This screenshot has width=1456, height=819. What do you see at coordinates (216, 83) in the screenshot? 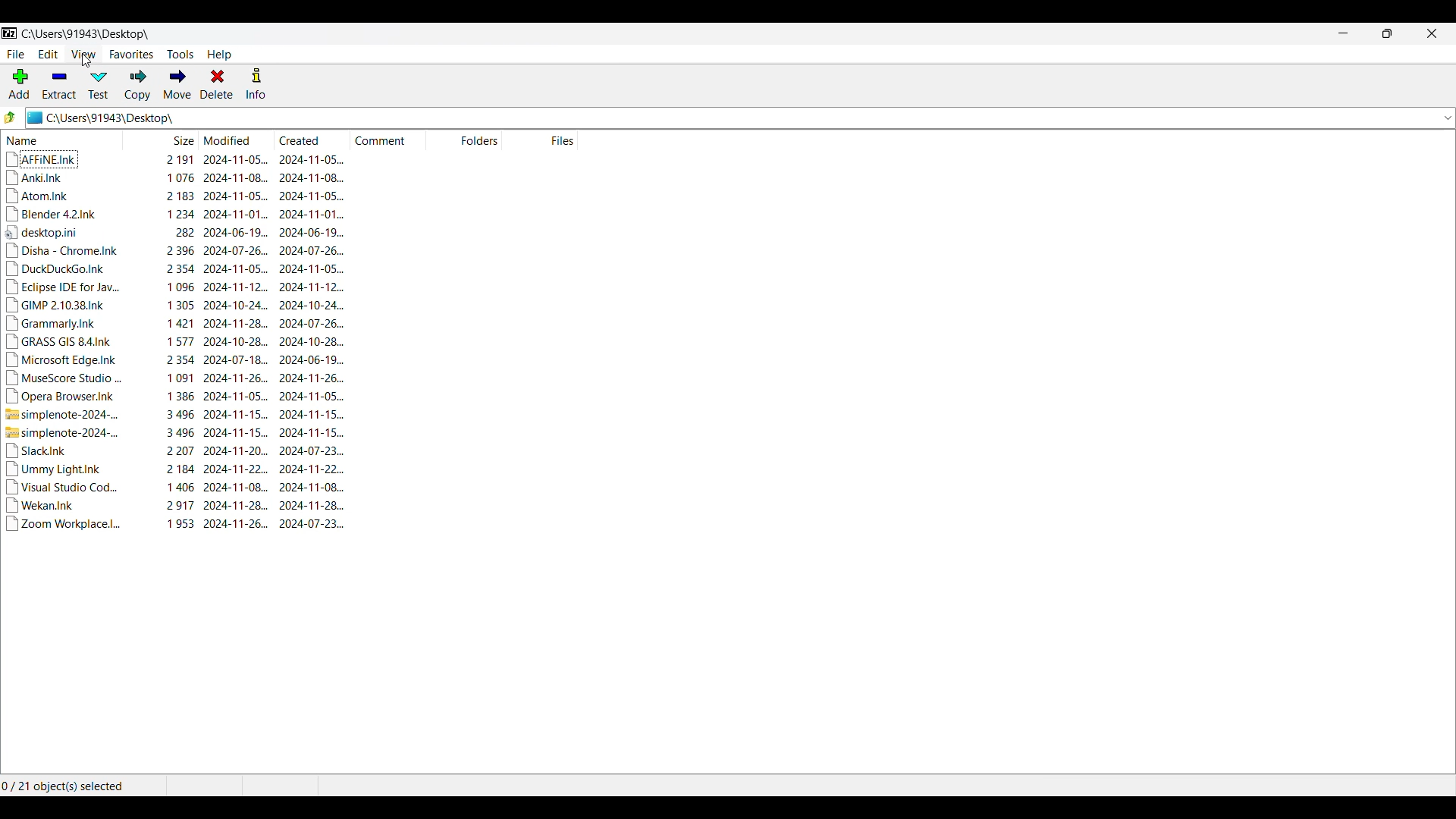
I see `Delete` at bounding box center [216, 83].